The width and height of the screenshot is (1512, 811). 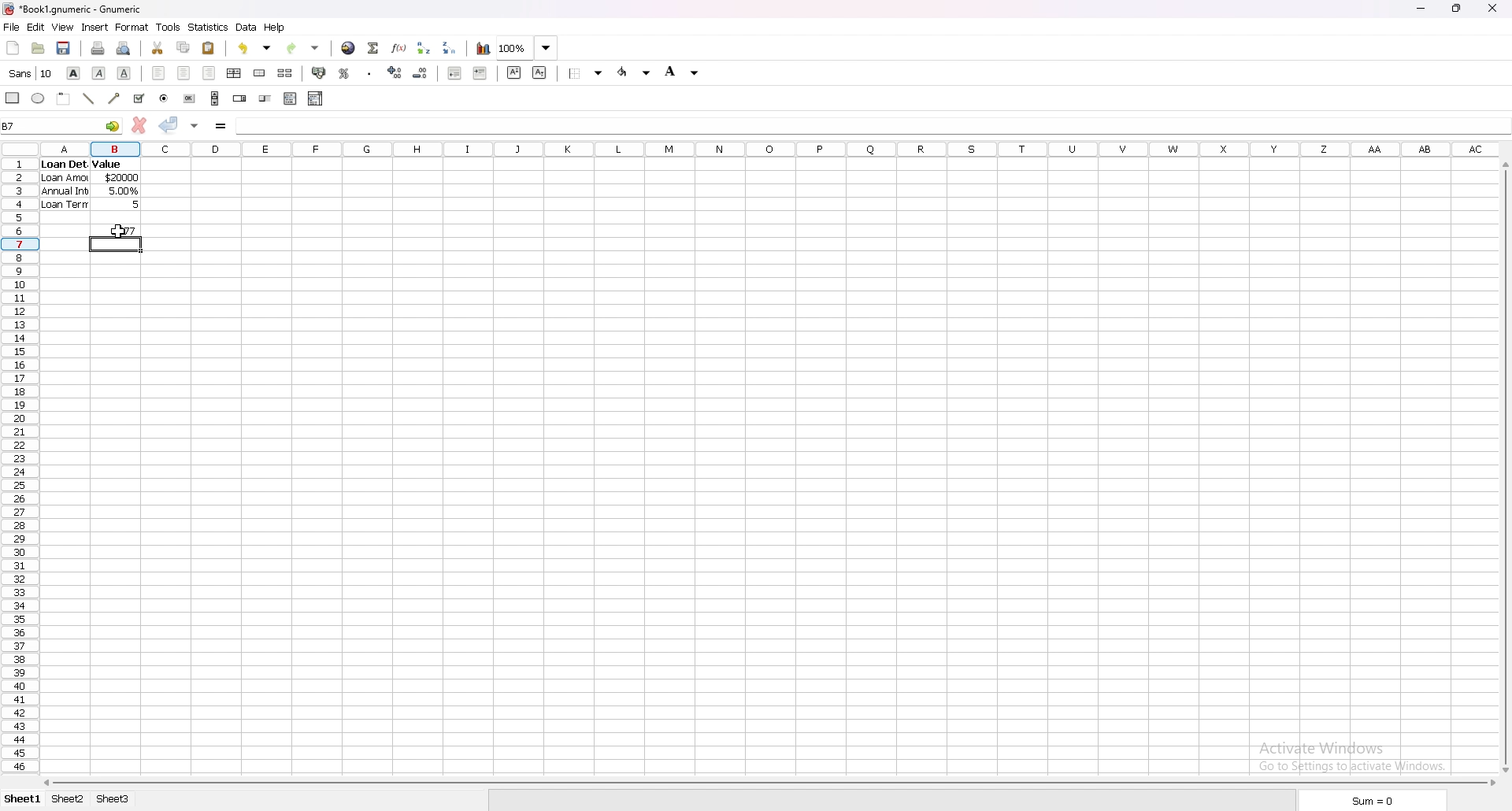 I want to click on ellipse, so click(x=39, y=98).